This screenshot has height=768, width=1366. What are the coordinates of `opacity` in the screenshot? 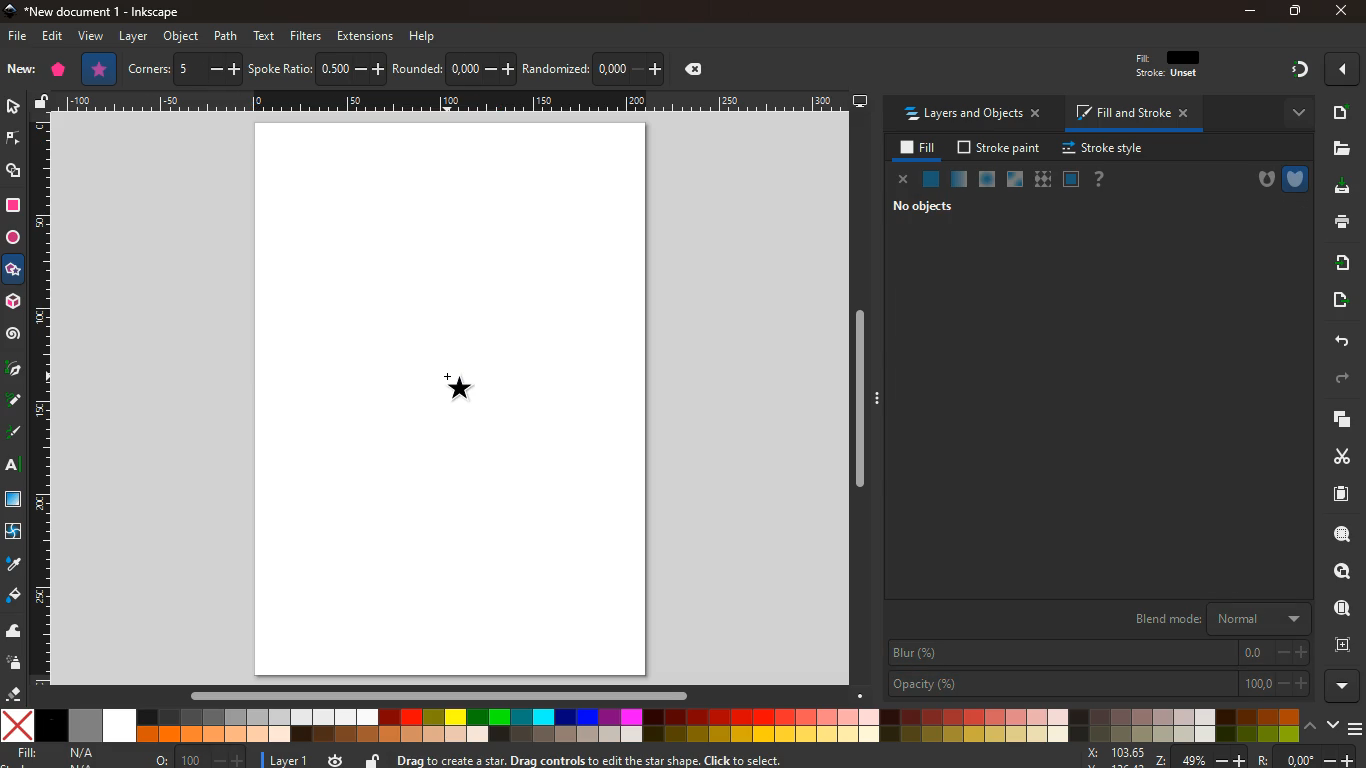 It's located at (960, 182).